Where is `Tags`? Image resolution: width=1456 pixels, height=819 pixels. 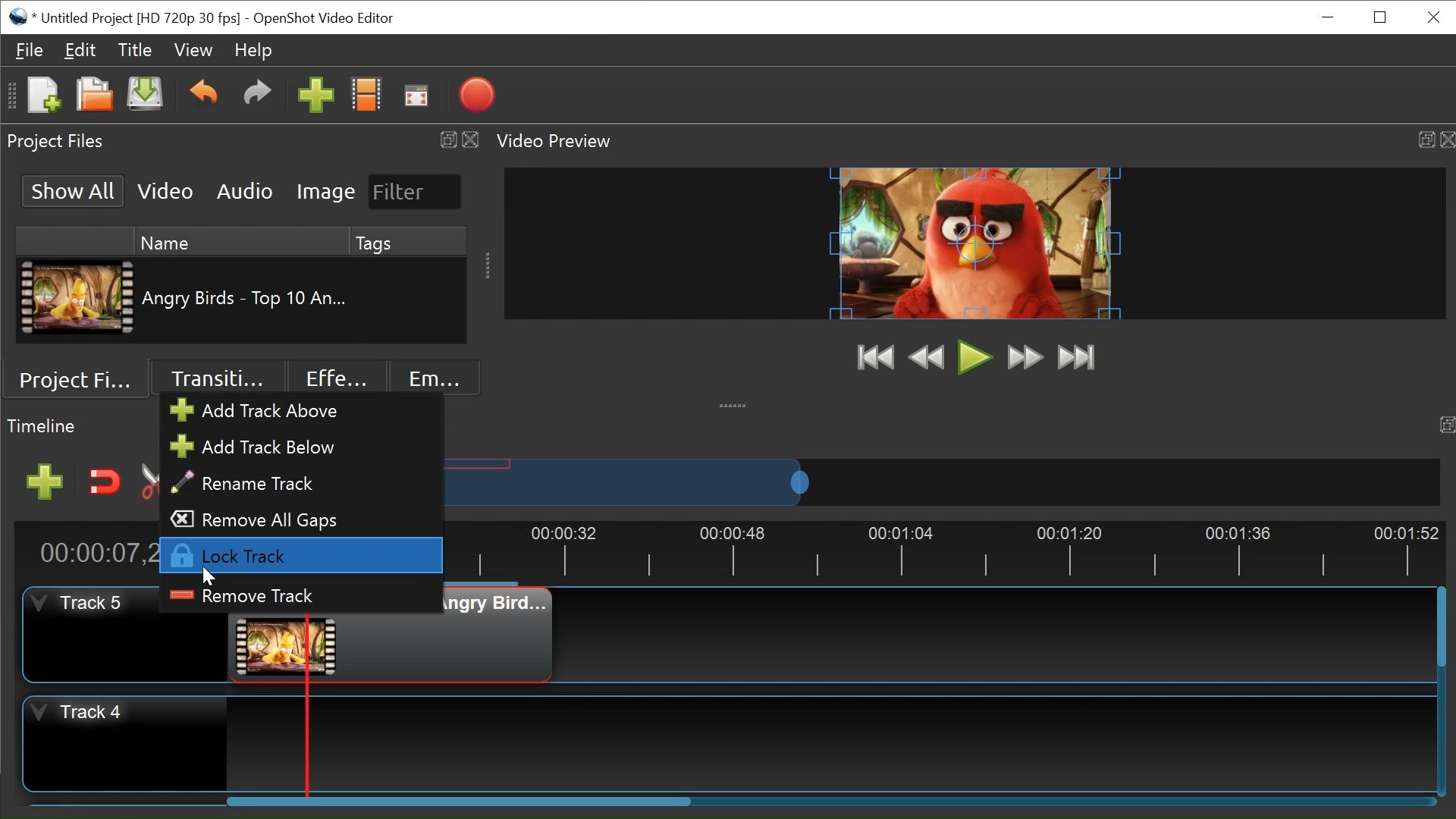 Tags is located at coordinates (411, 242).